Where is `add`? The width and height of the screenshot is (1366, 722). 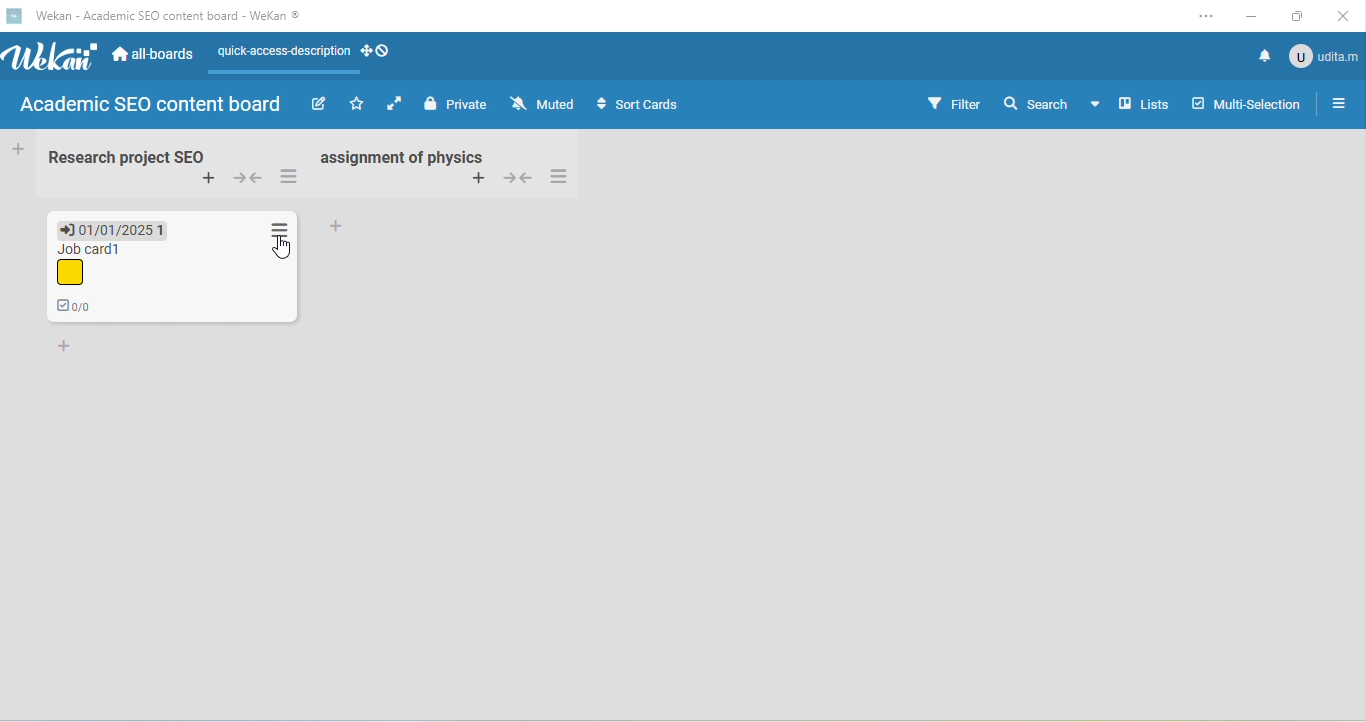 add is located at coordinates (337, 225).